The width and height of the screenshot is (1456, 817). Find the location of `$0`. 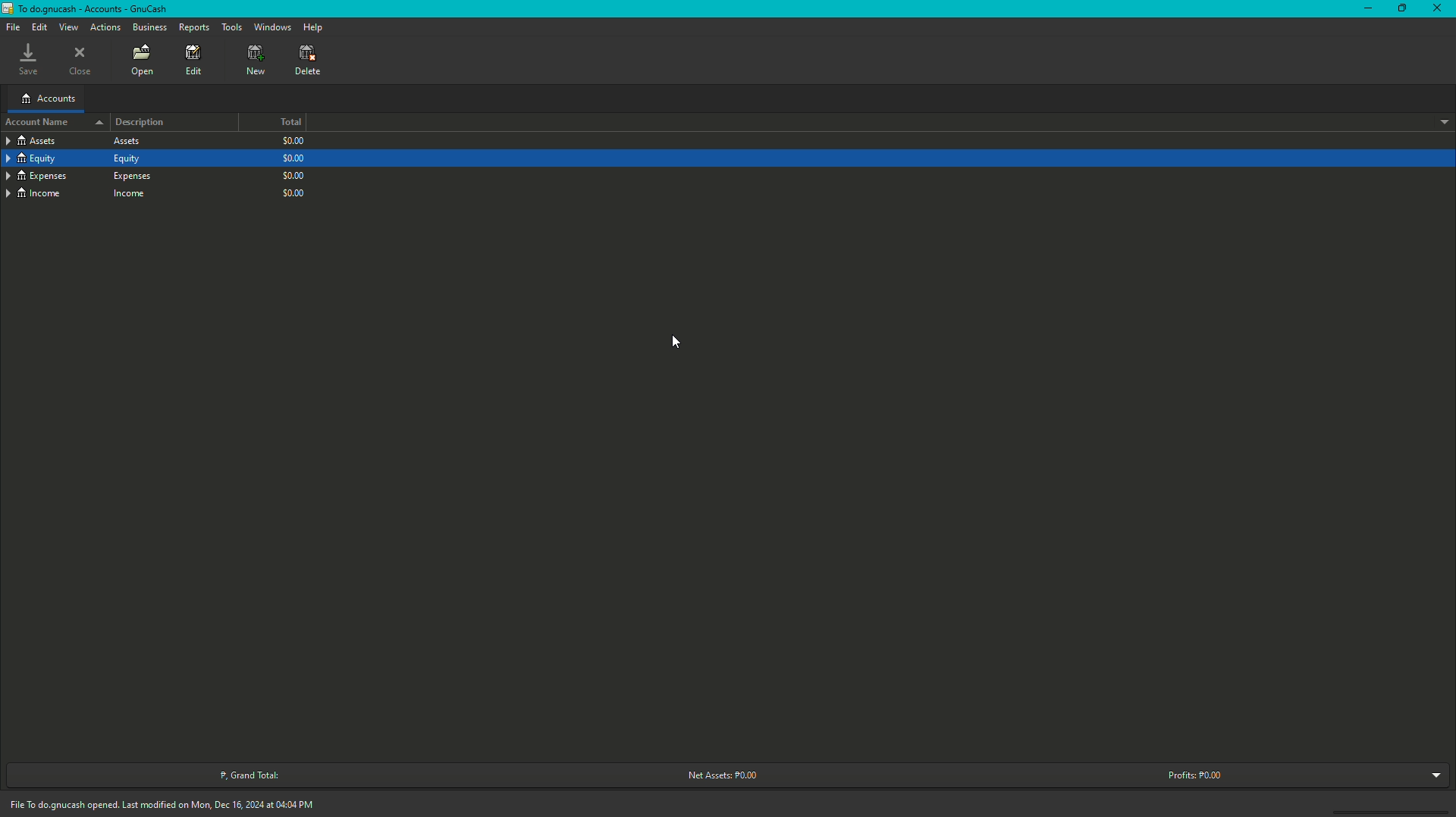

$0 is located at coordinates (293, 174).